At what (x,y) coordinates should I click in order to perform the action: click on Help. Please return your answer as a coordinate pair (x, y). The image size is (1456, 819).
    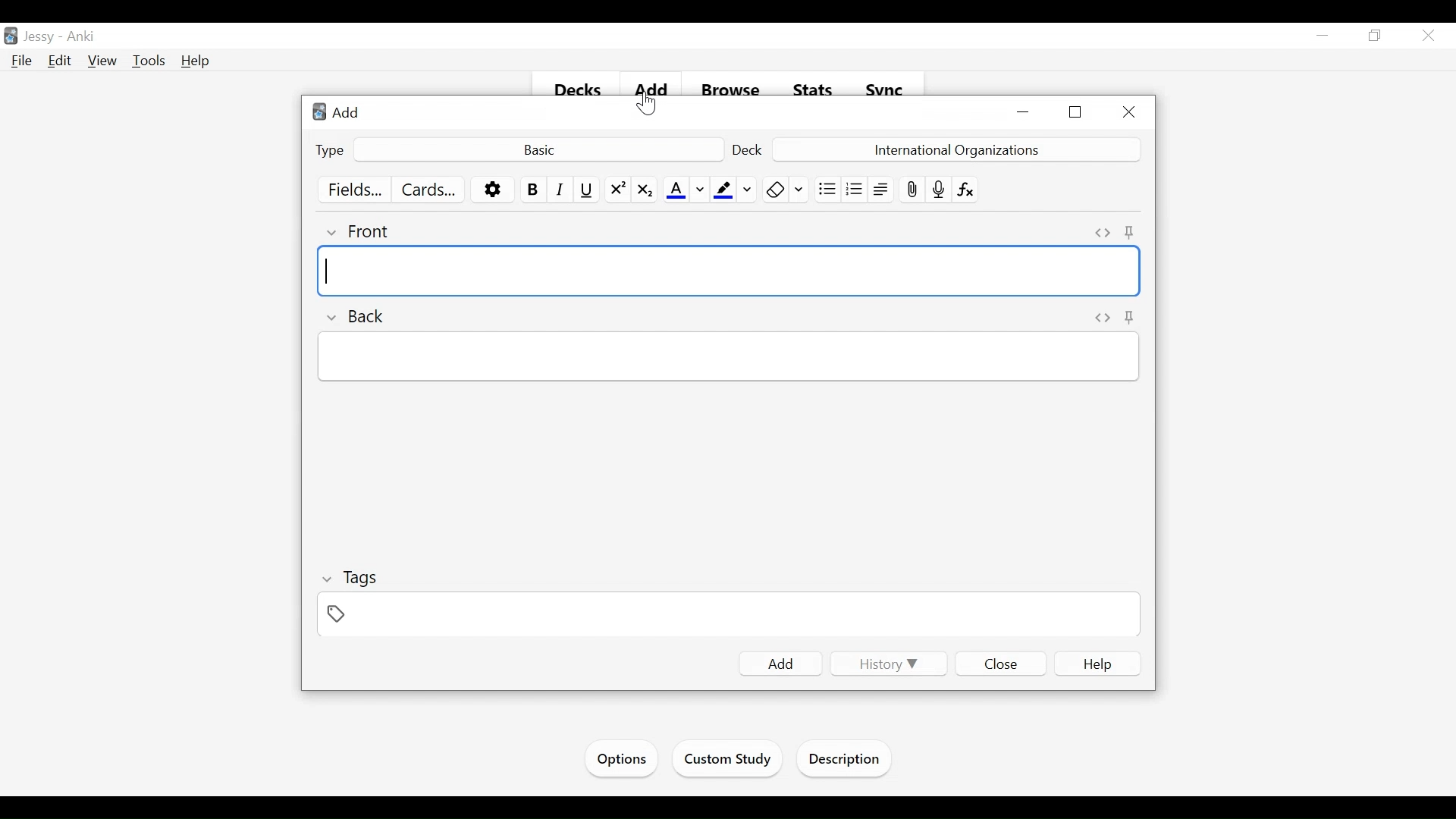
    Looking at the image, I should click on (197, 62).